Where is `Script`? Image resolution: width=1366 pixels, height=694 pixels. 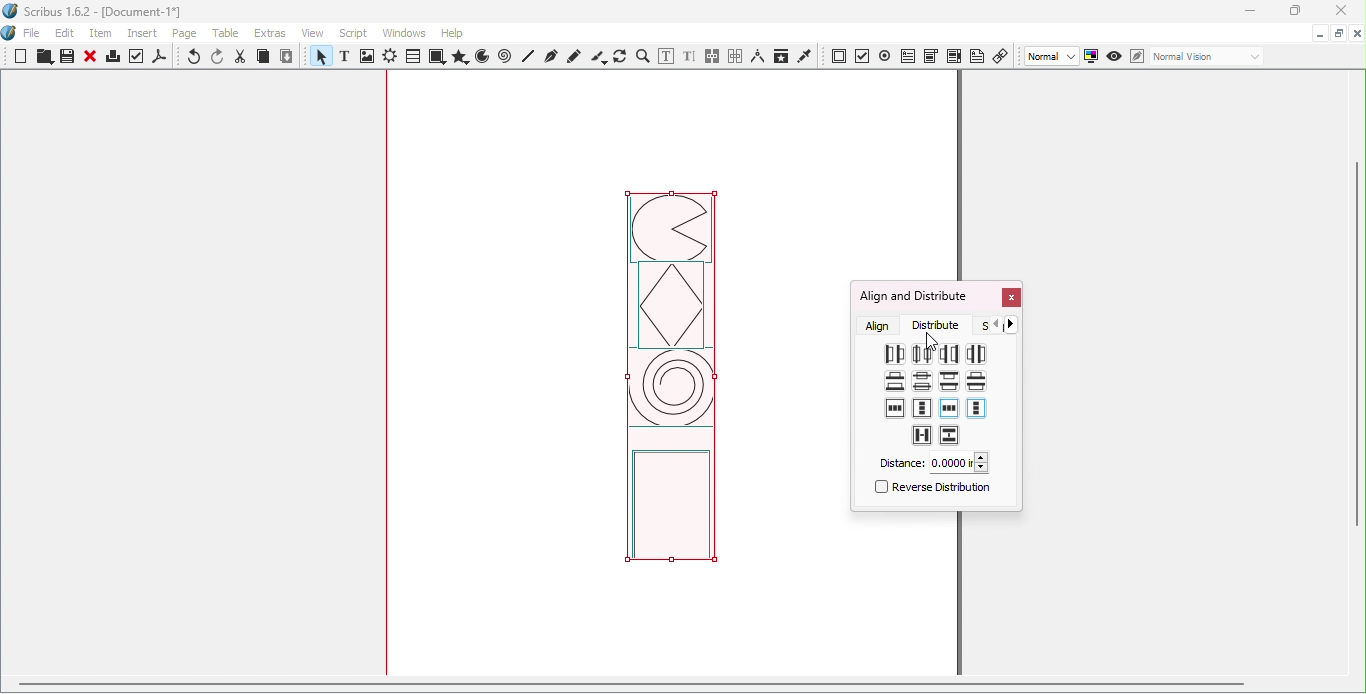
Script is located at coordinates (356, 32).